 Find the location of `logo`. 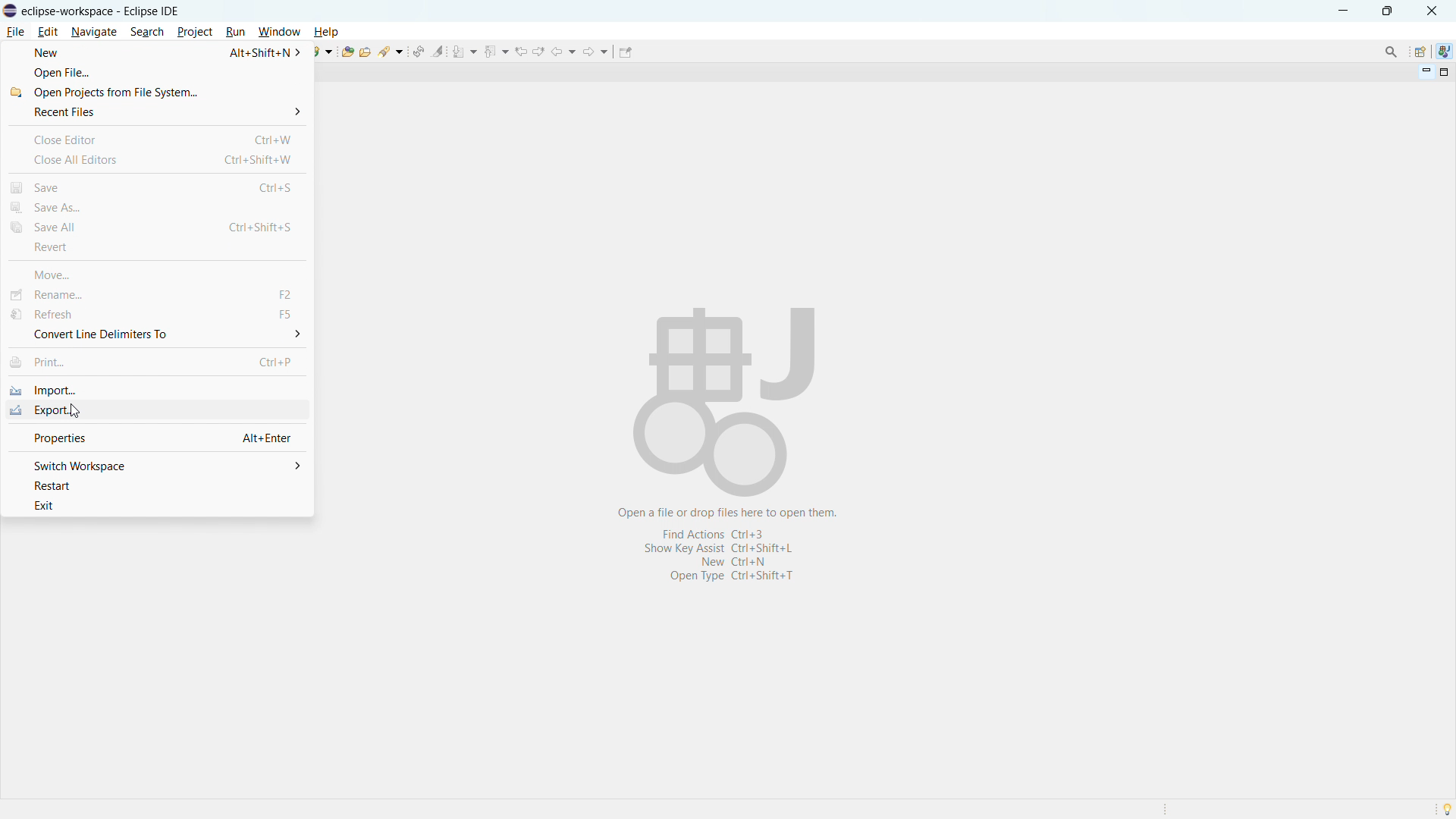

logo is located at coordinates (10, 11).